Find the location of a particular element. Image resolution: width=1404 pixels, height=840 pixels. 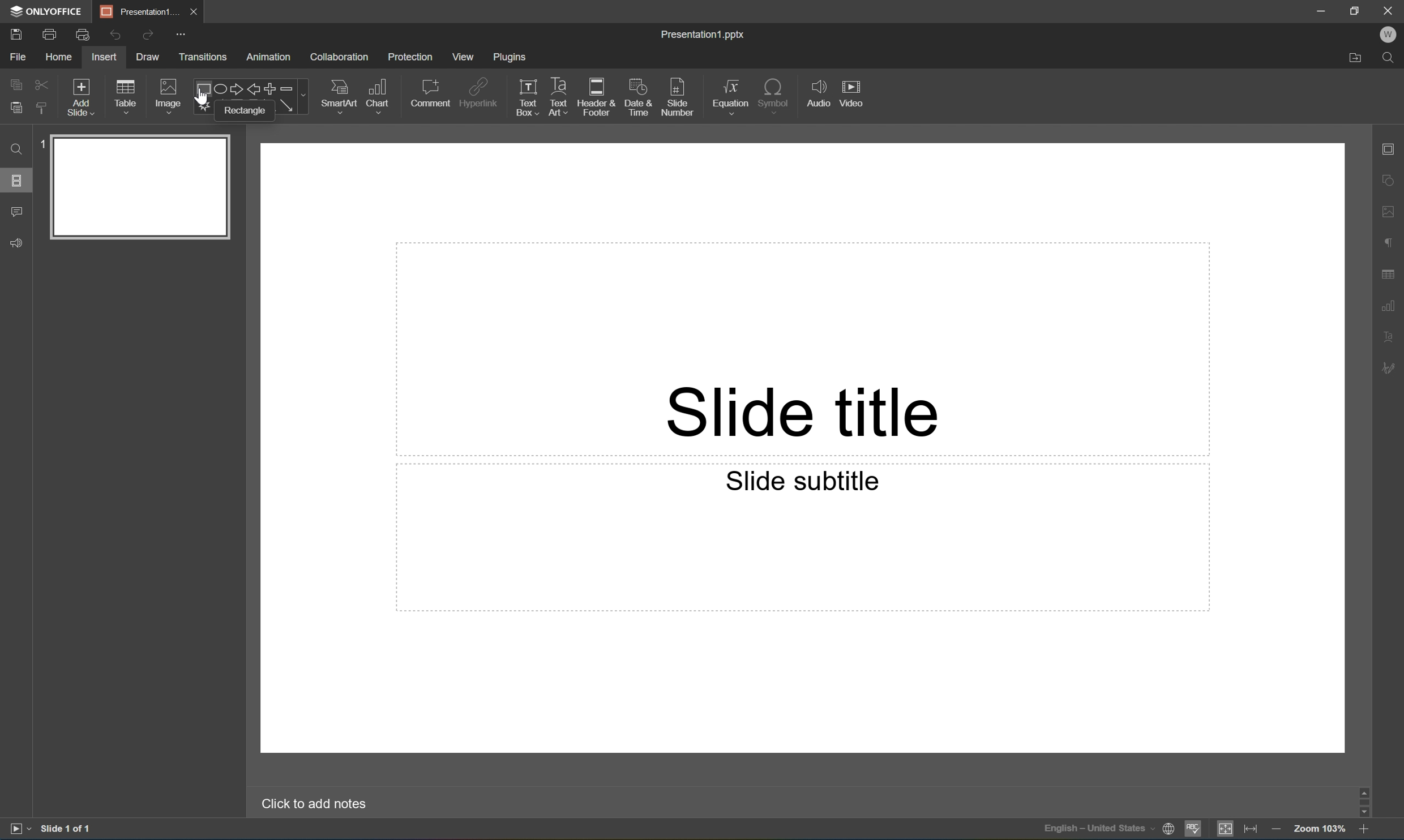

Select slide size is located at coordinates (632, 108).